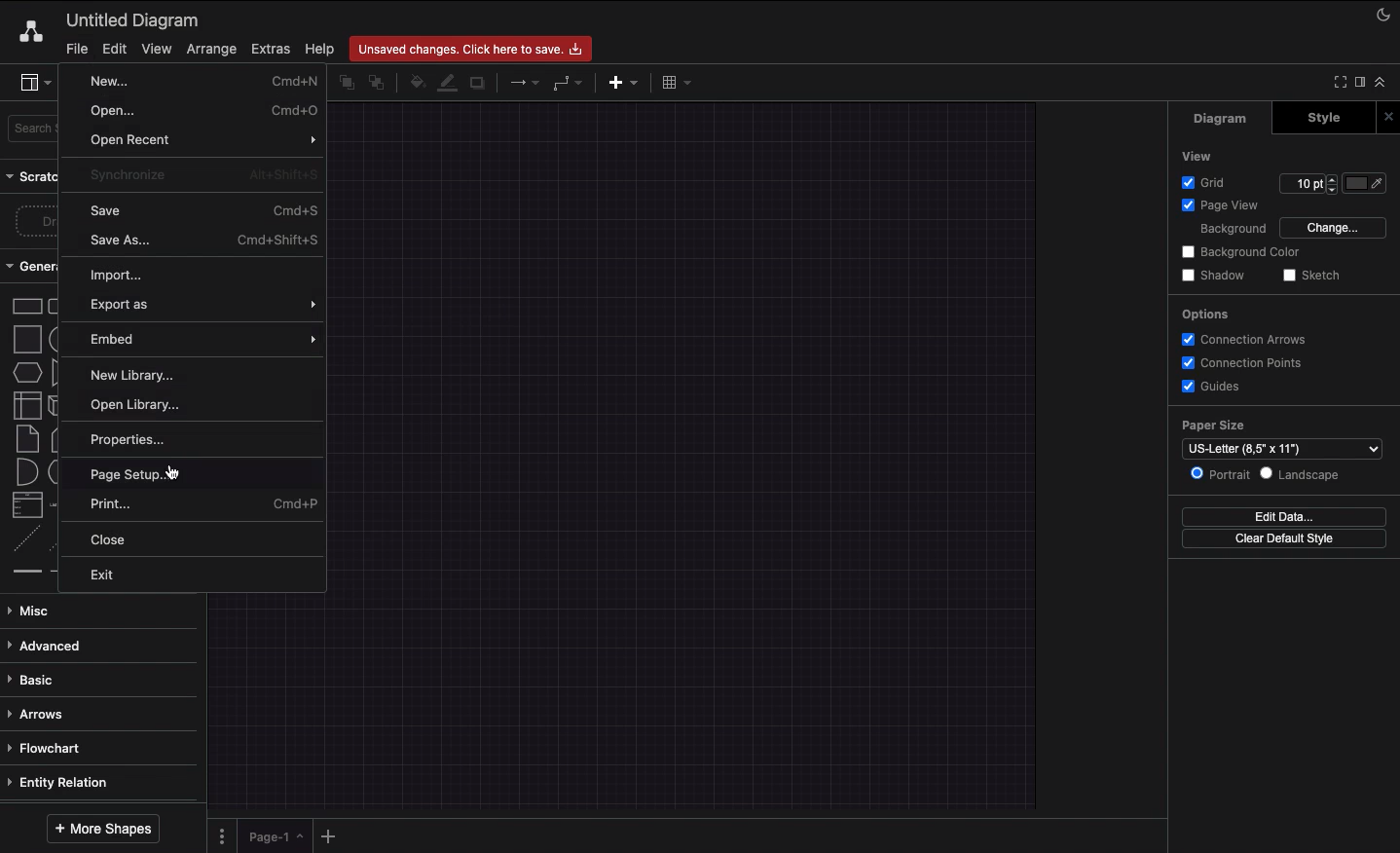 The width and height of the screenshot is (1400, 853). I want to click on Style, so click(1326, 117).